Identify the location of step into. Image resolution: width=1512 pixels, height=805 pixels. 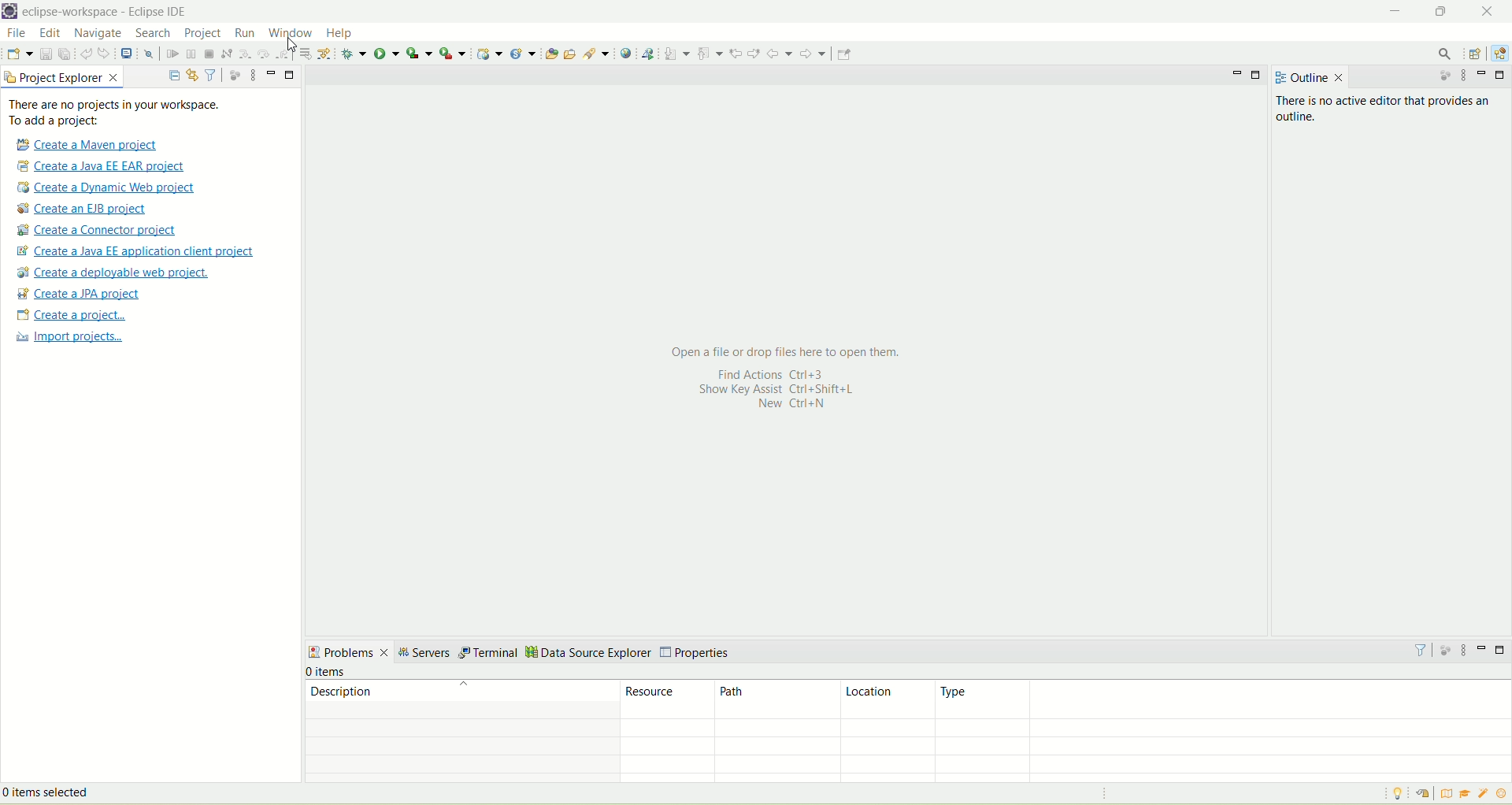
(246, 56).